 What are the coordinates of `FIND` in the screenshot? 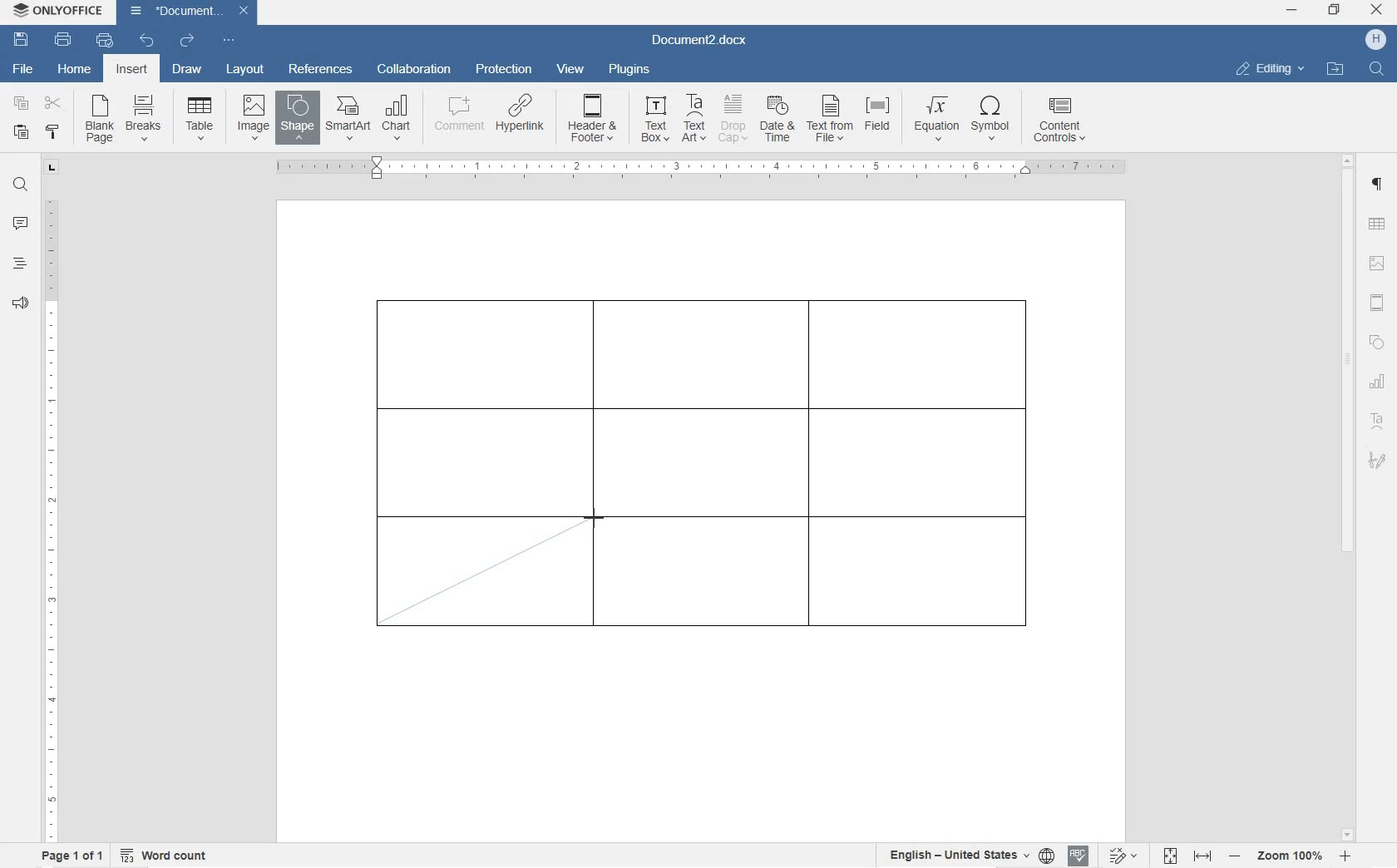 It's located at (1378, 68).